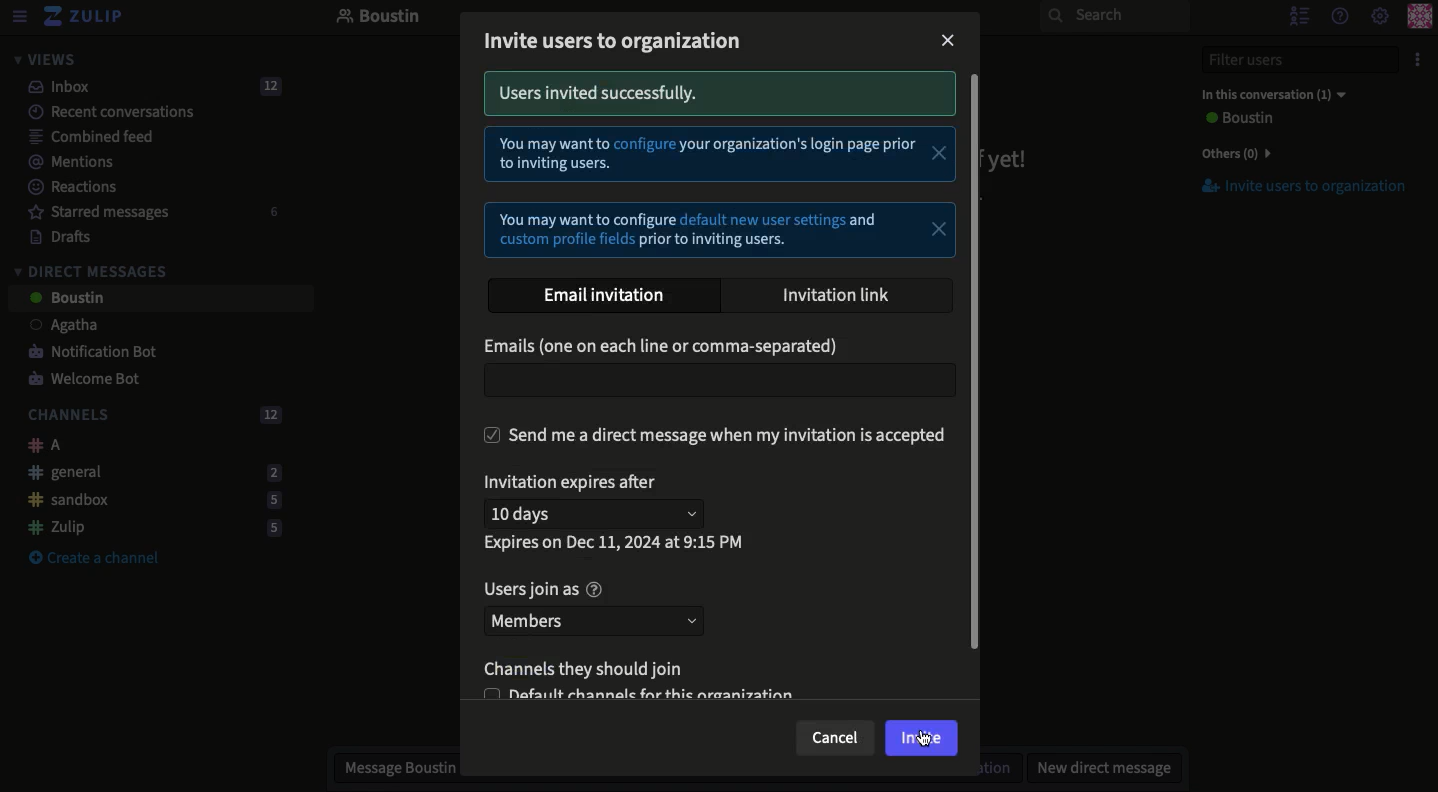 The image size is (1438, 792). Describe the element at coordinates (65, 299) in the screenshot. I see `User 2` at that location.